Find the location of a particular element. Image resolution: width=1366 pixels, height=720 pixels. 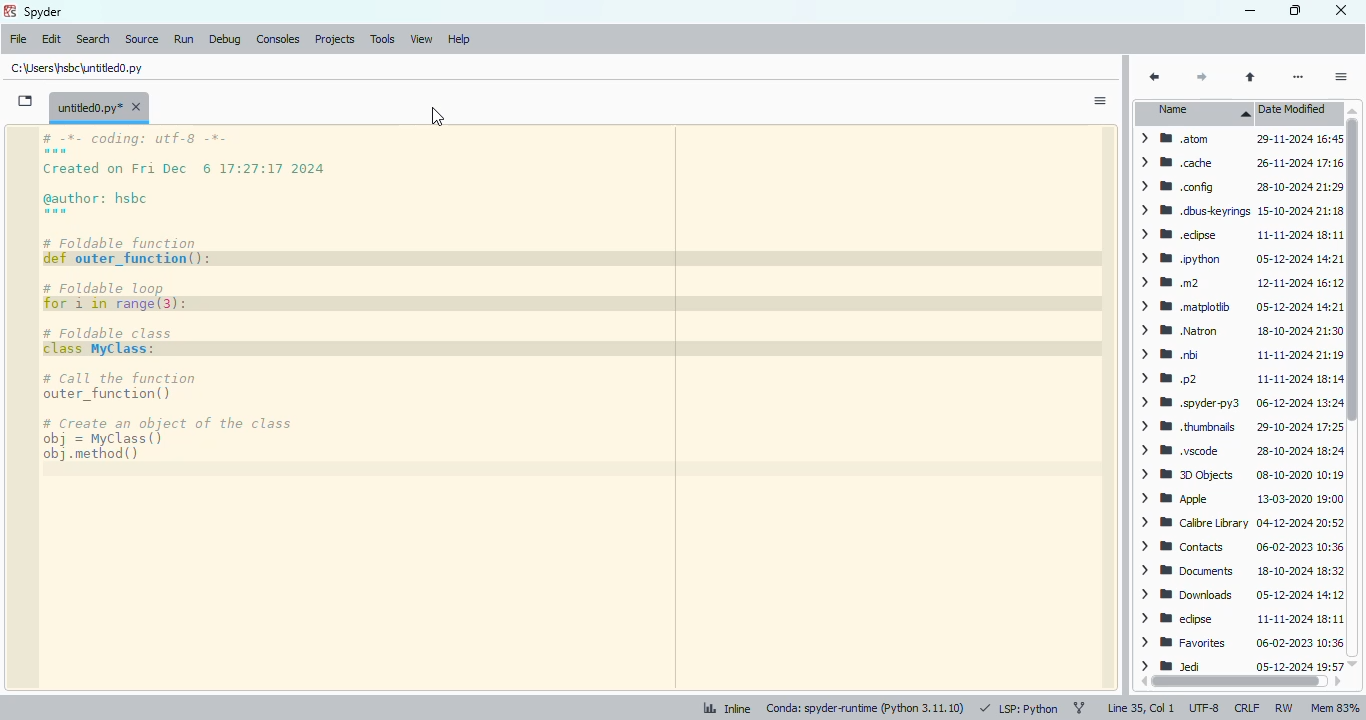

file names is located at coordinates (1193, 400).